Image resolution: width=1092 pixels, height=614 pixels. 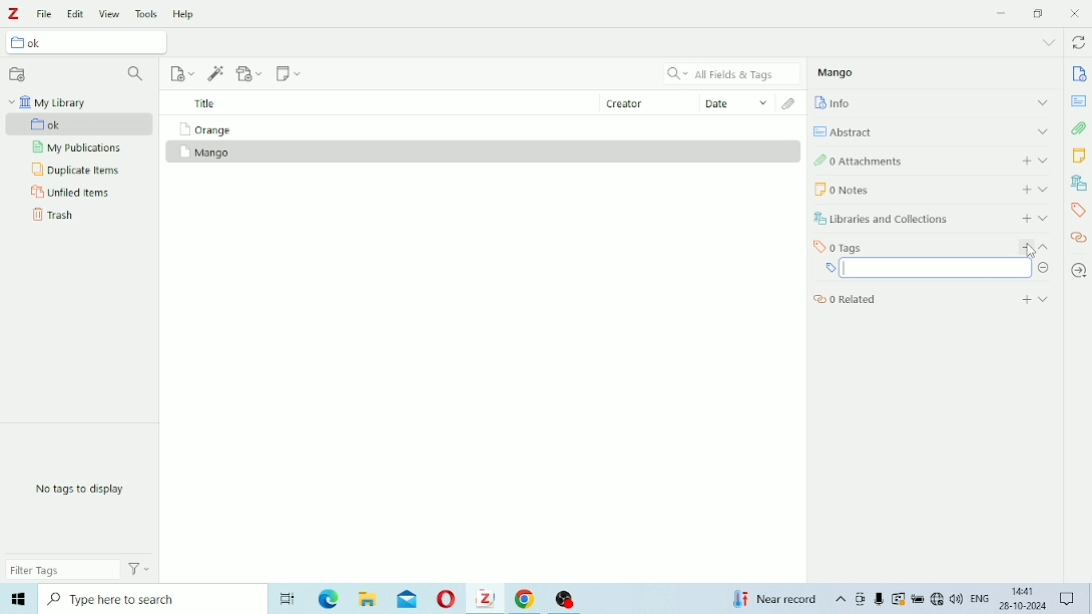 What do you see at coordinates (328, 600) in the screenshot?
I see `Microsoft Edge` at bounding box center [328, 600].